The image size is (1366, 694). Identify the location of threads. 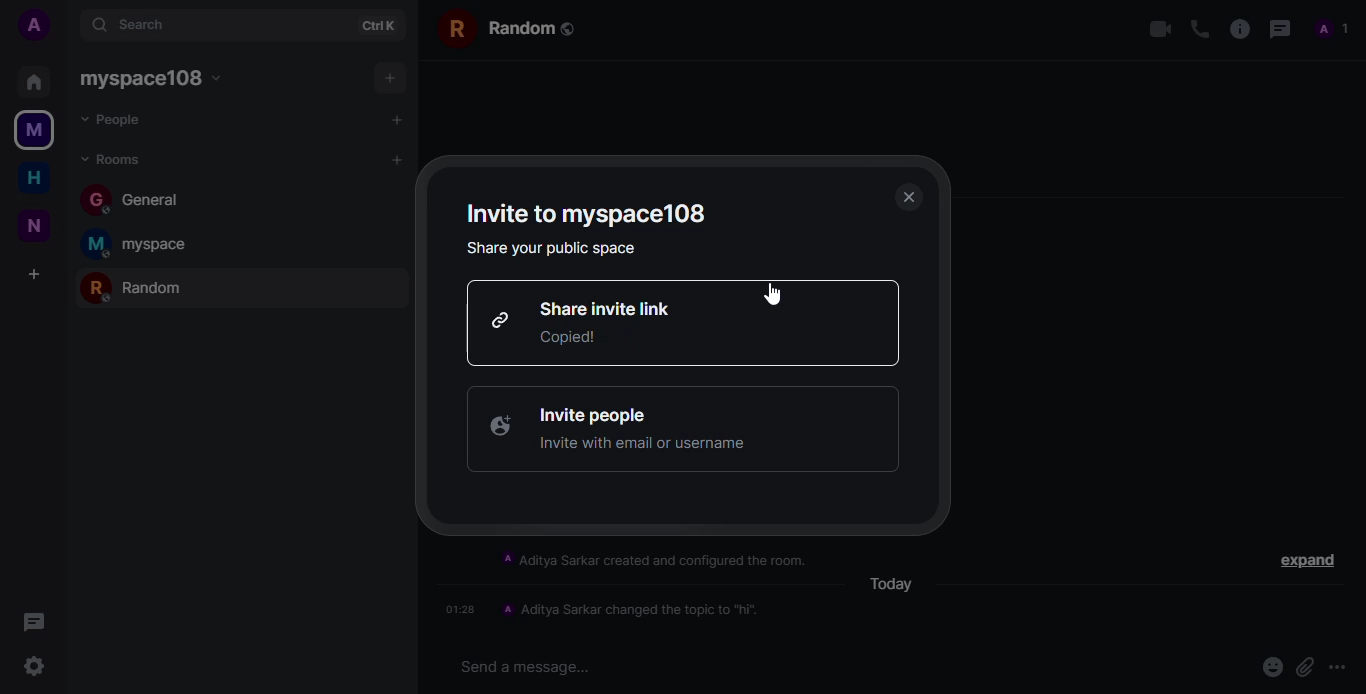
(1280, 30).